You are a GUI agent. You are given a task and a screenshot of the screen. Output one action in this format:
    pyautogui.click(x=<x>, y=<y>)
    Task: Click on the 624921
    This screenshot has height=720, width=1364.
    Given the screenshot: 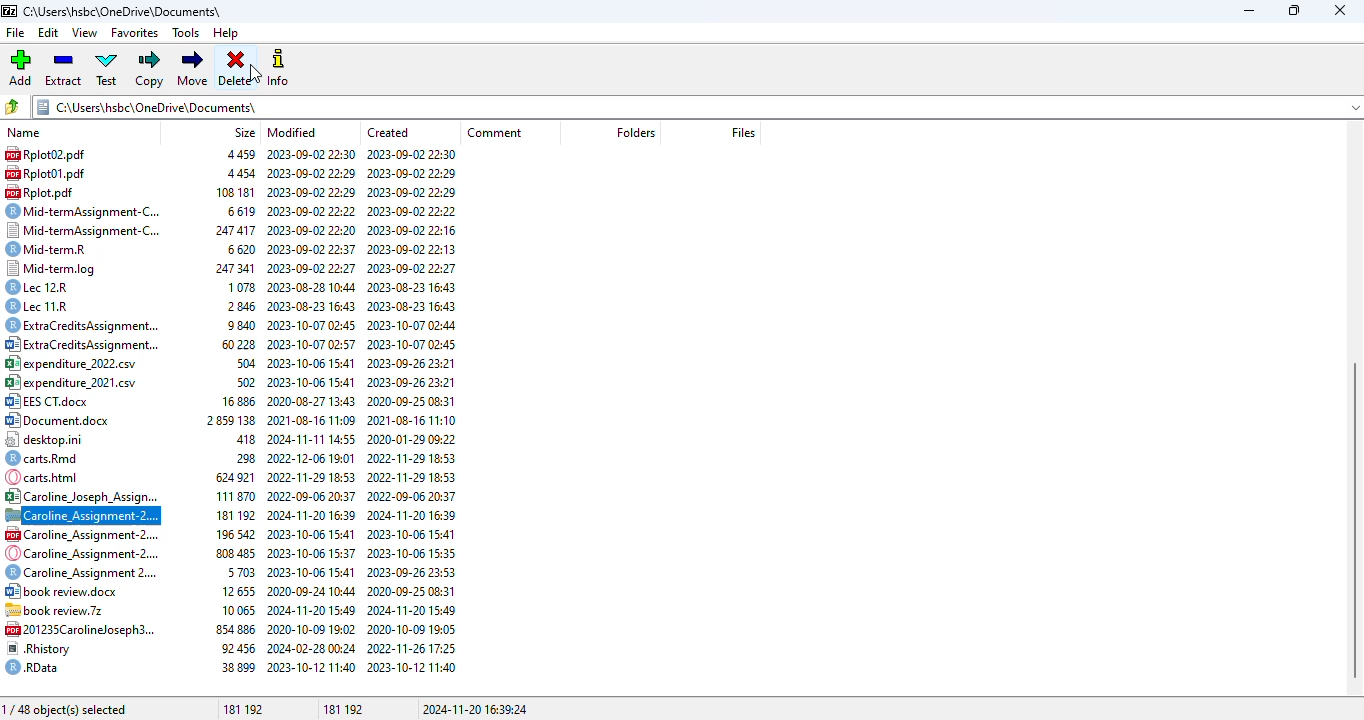 What is the action you would take?
    pyautogui.click(x=233, y=477)
    